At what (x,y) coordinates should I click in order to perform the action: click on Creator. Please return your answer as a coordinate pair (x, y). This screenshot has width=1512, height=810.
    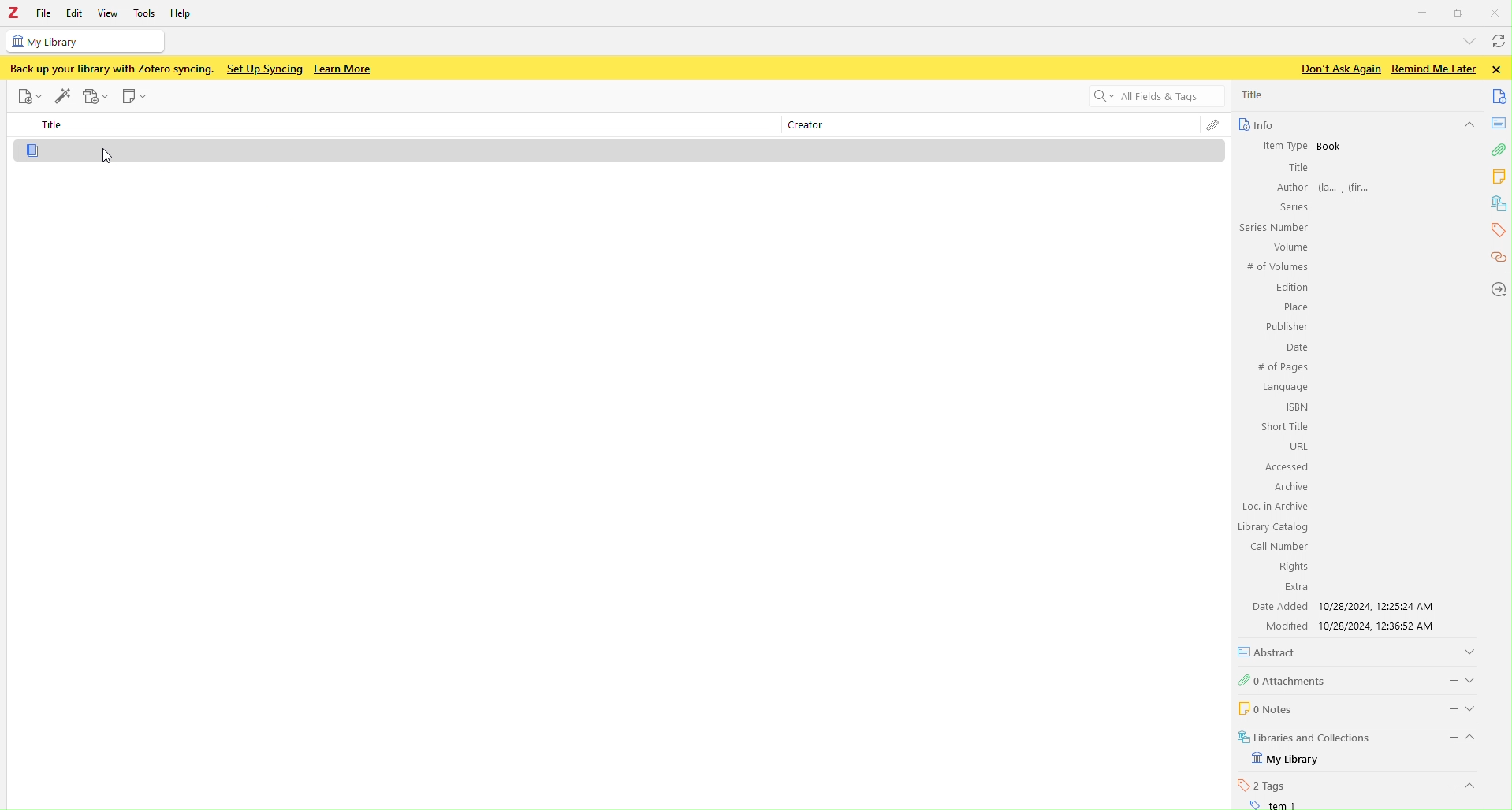
    Looking at the image, I should click on (802, 127).